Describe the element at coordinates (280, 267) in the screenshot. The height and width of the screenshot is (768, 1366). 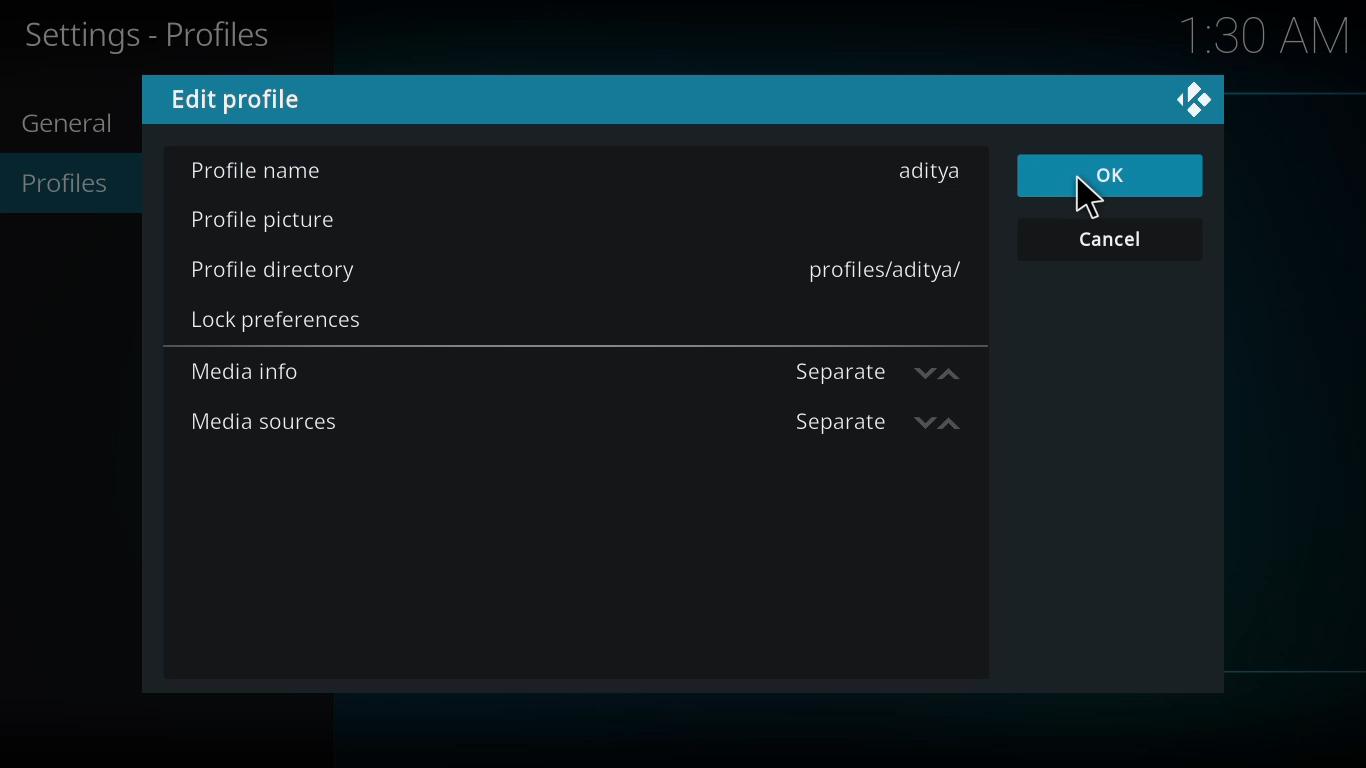
I see `profile directory` at that location.